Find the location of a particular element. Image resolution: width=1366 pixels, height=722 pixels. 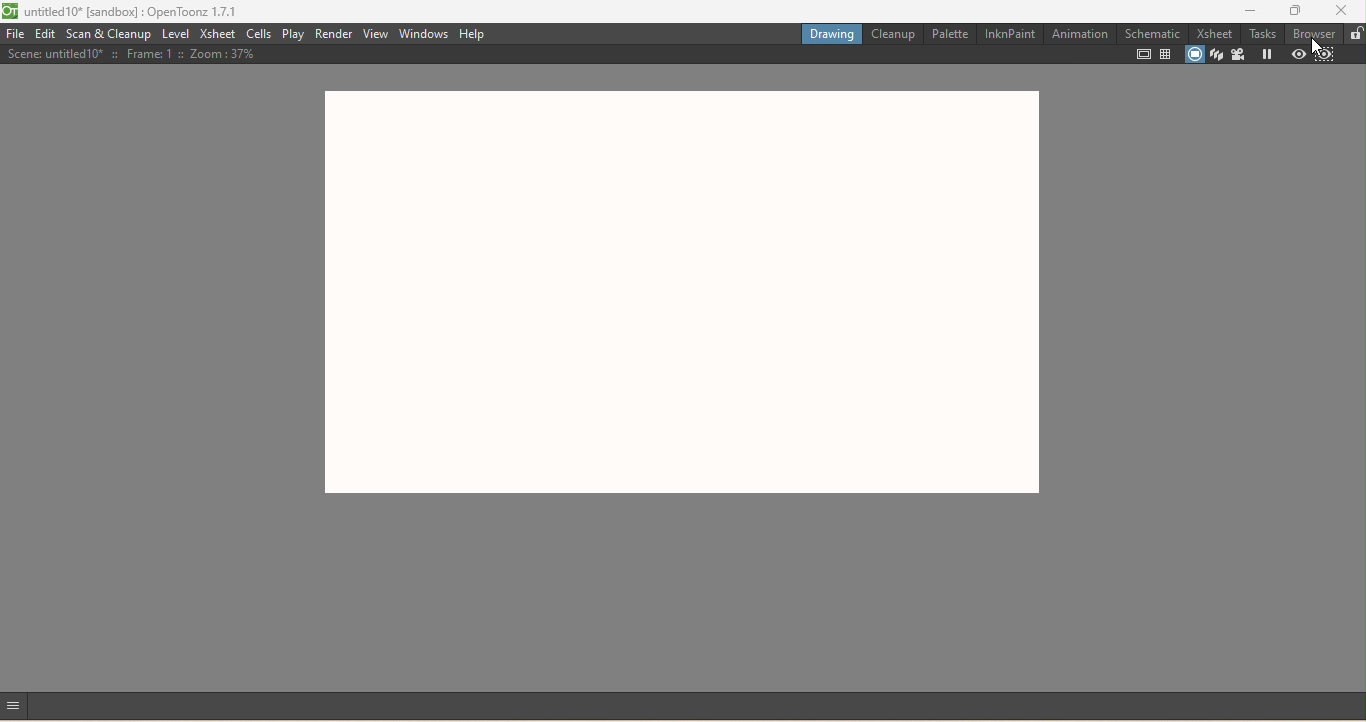

File name is located at coordinates (135, 12).